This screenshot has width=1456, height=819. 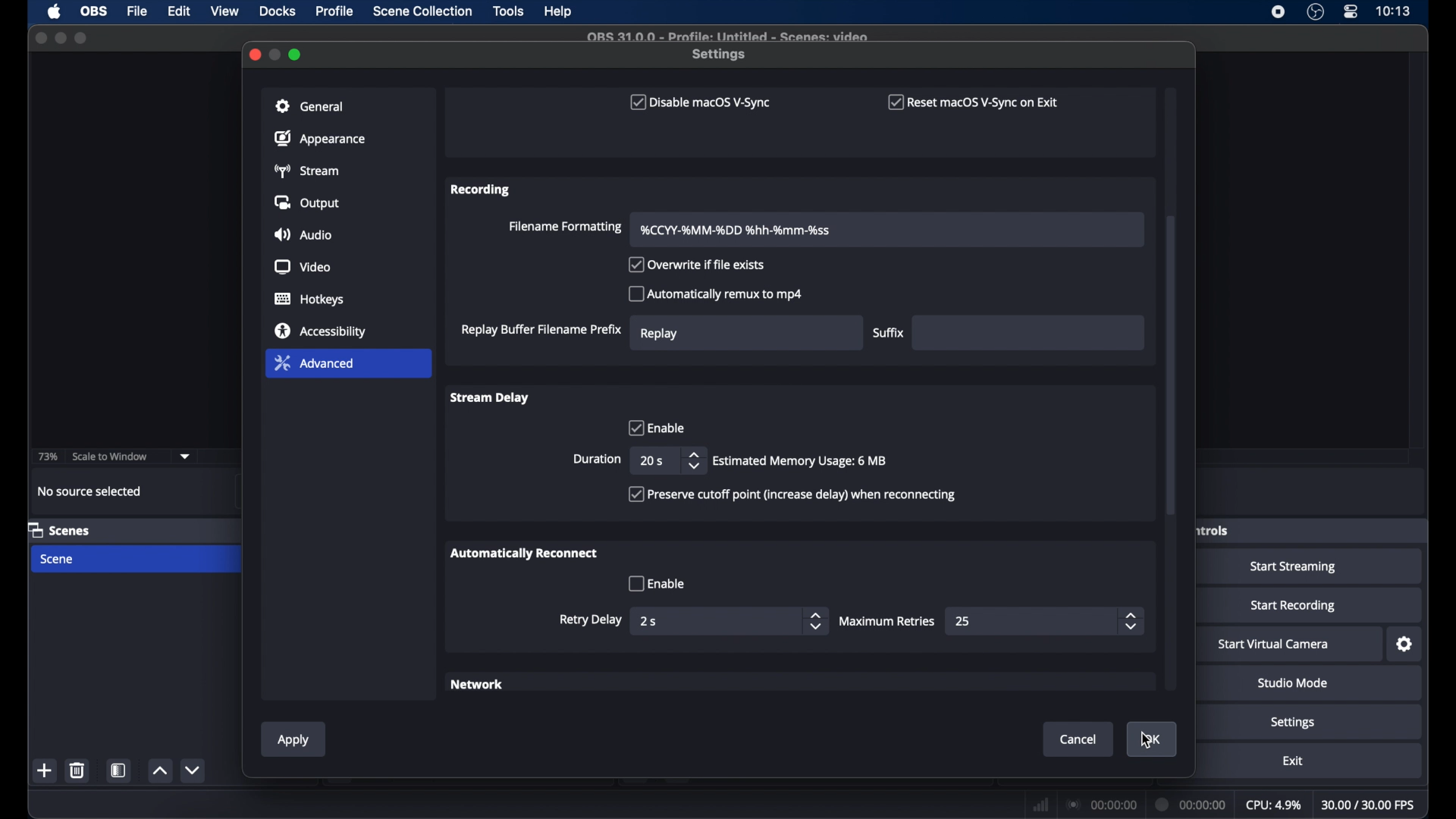 What do you see at coordinates (1350, 12) in the screenshot?
I see `control center` at bounding box center [1350, 12].